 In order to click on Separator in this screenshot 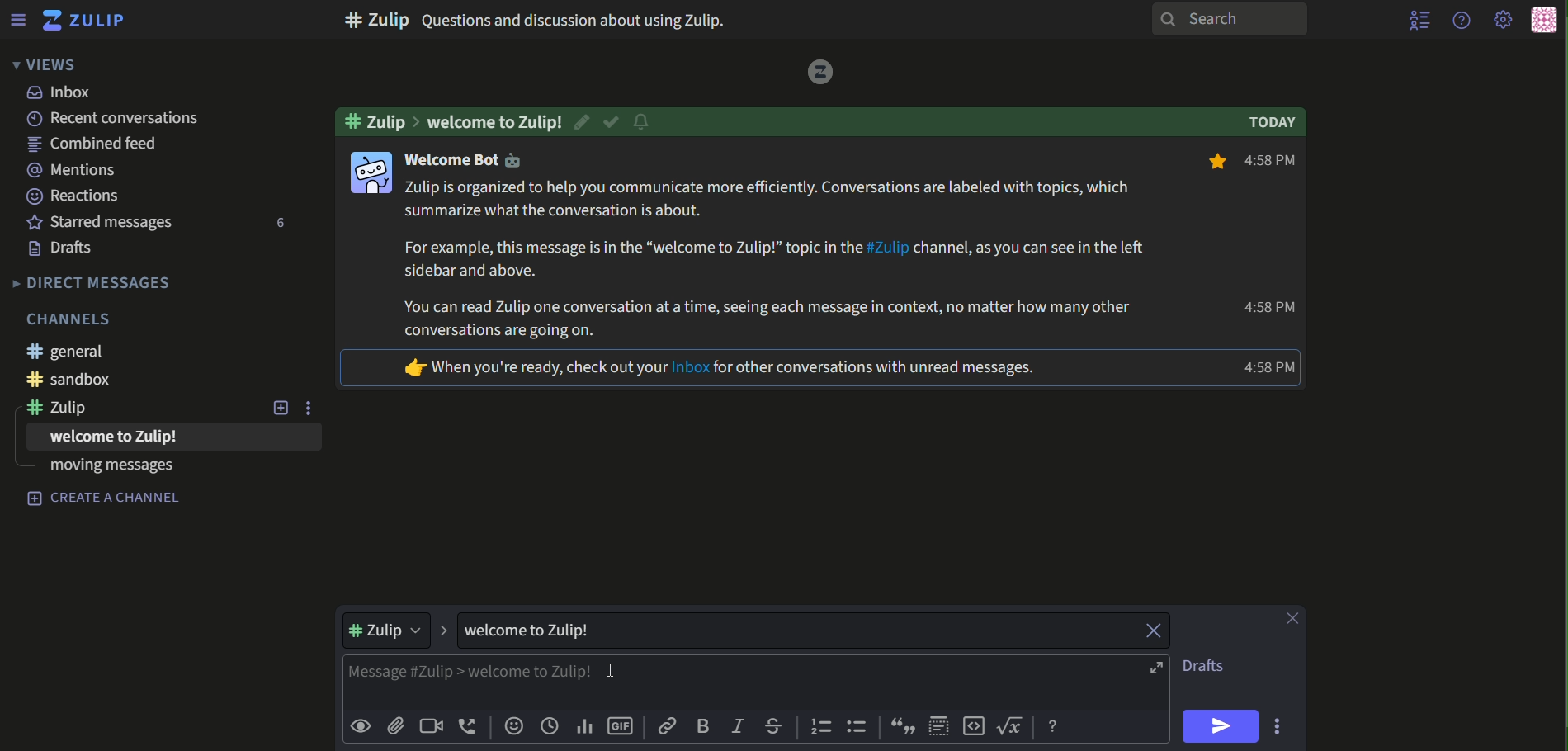, I will do `click(445, 631)`.